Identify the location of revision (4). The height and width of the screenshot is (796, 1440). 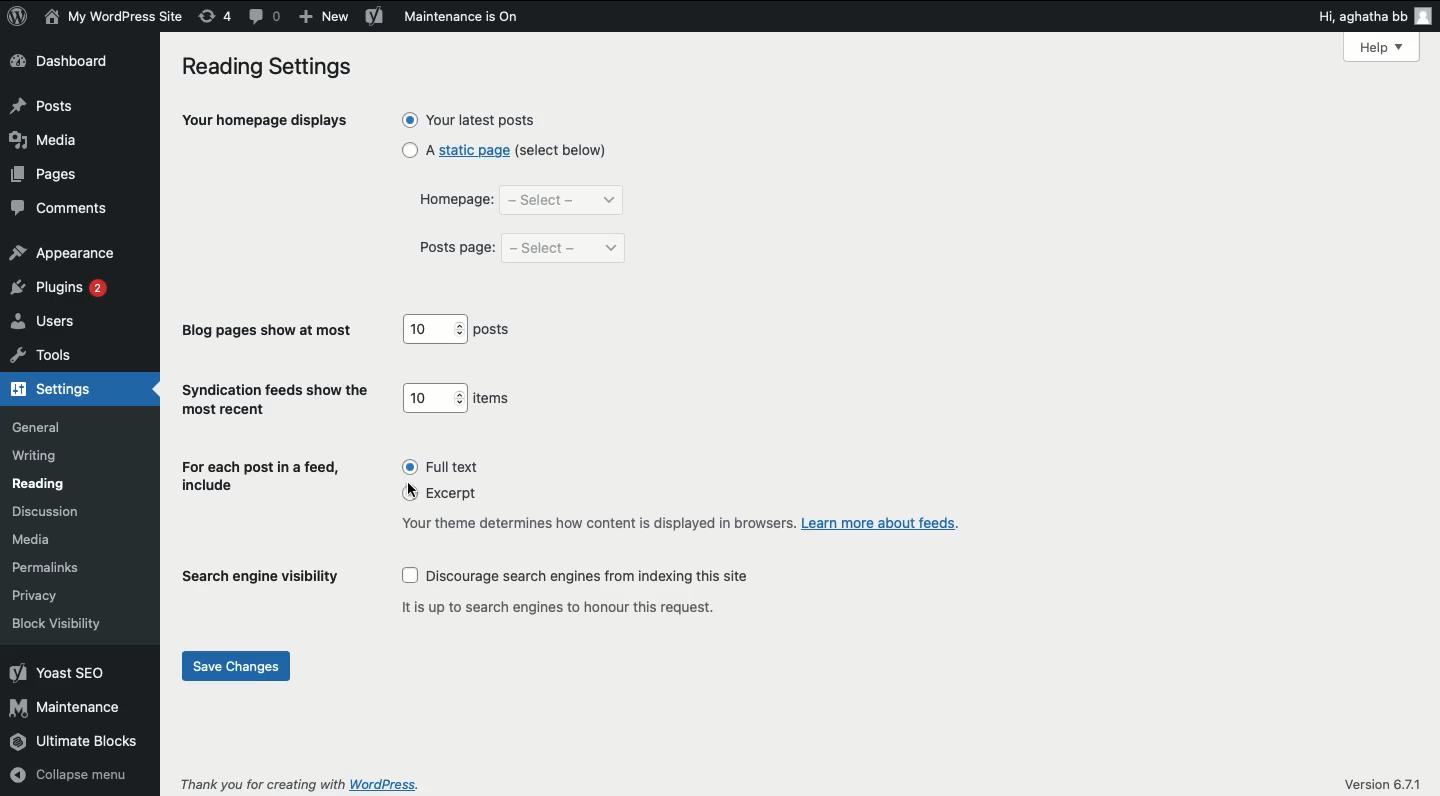
(214, 15).